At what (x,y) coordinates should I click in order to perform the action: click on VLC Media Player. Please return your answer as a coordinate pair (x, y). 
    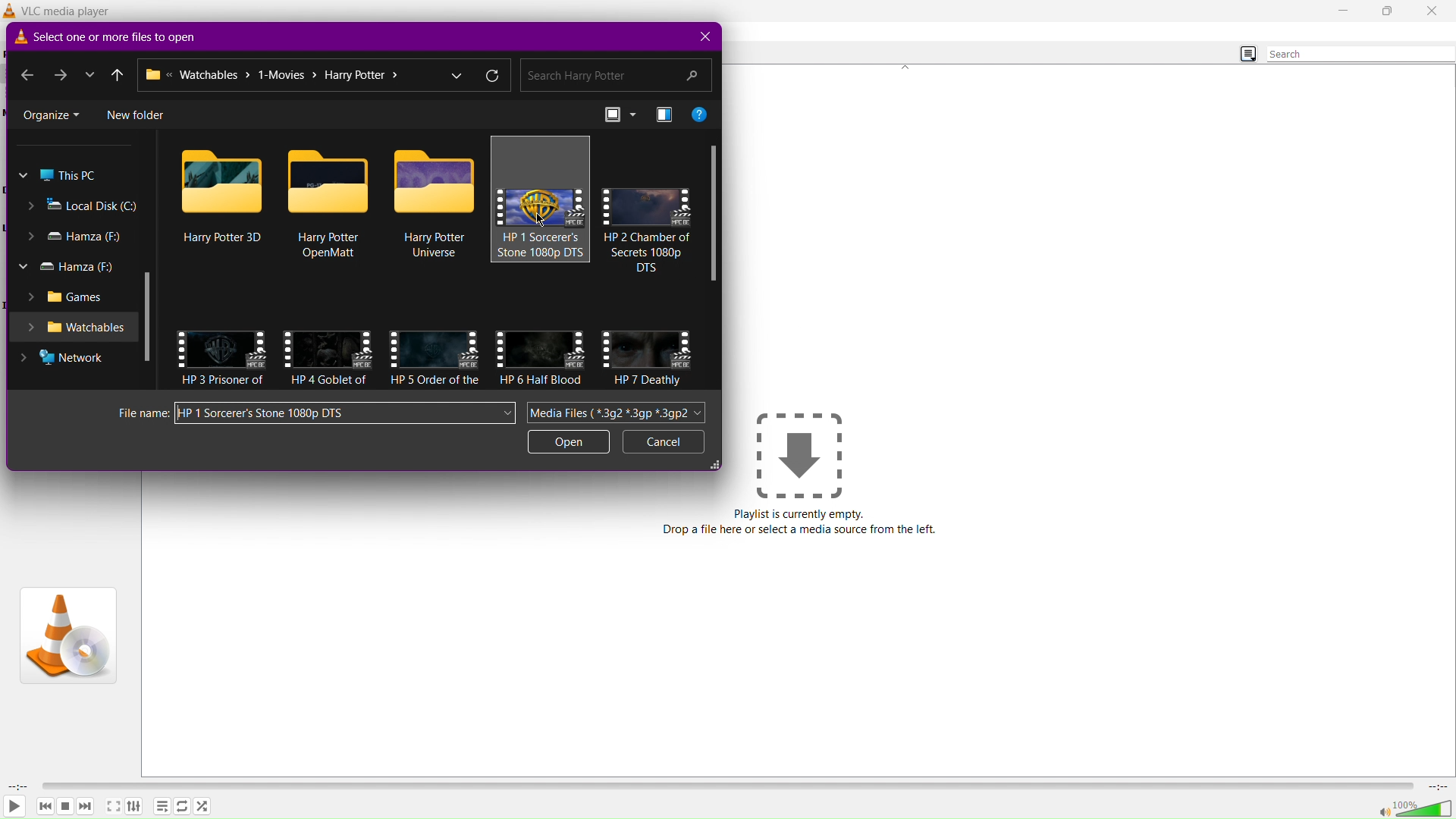
    Looking at the image, I should click on (74, 10).